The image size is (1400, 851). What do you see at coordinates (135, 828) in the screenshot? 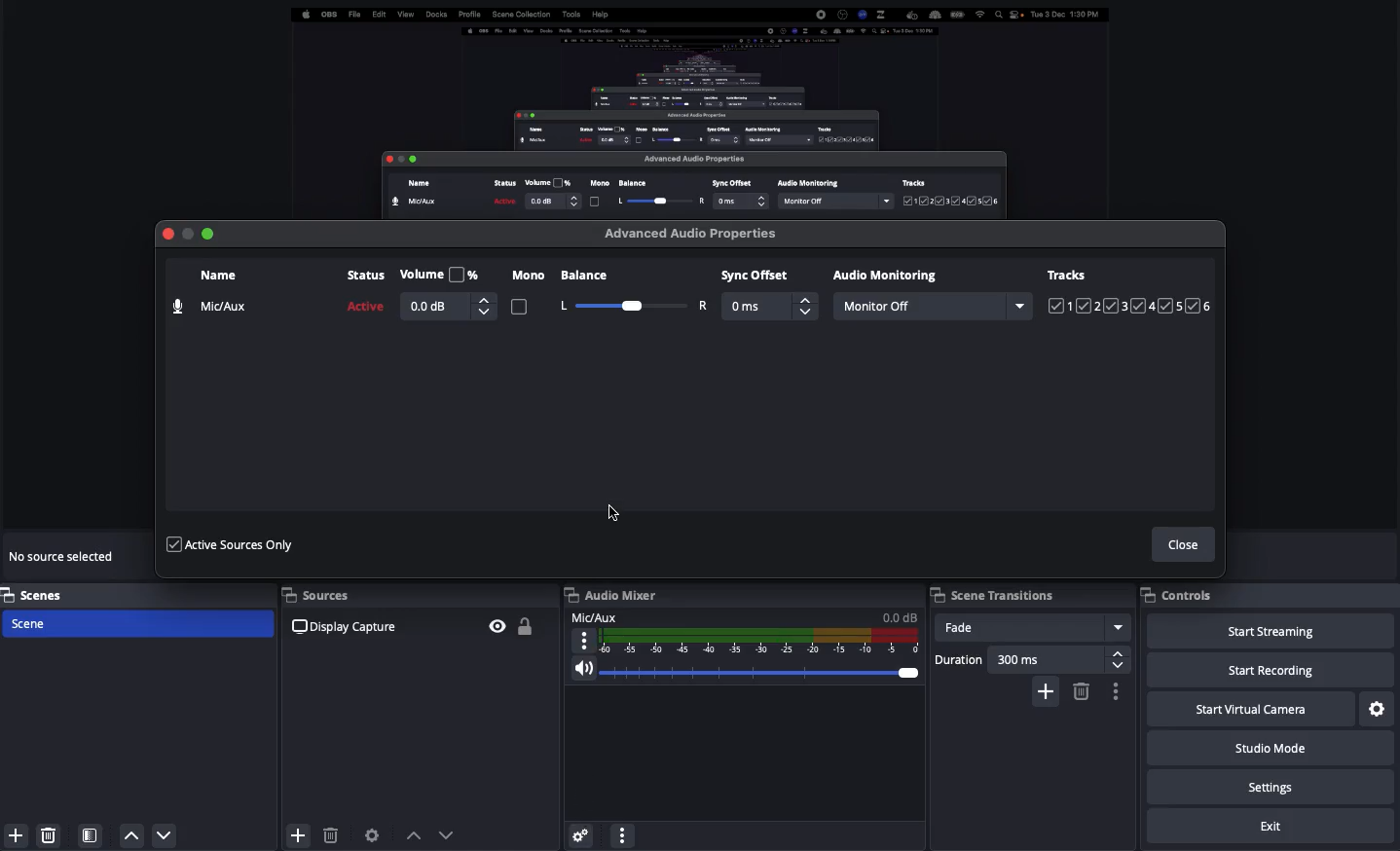
I see `move up` at bounding box center [135, 828].